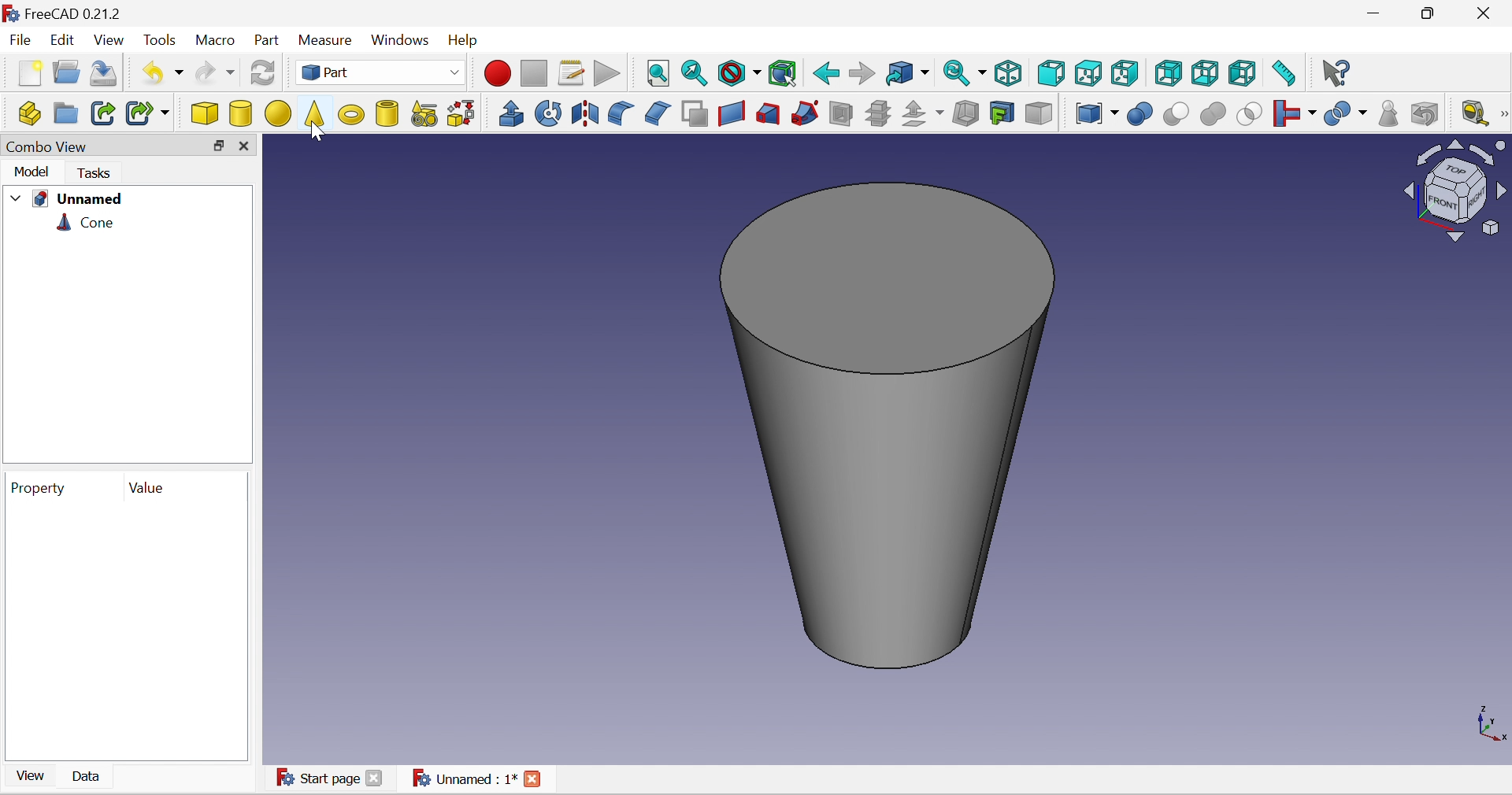 Image resolution: width=1512 pixels, height=795 pixels. What do you see at coordinates (1089, 72) in the screenshot?
I see `Top` at bounding box center [1089, 72].